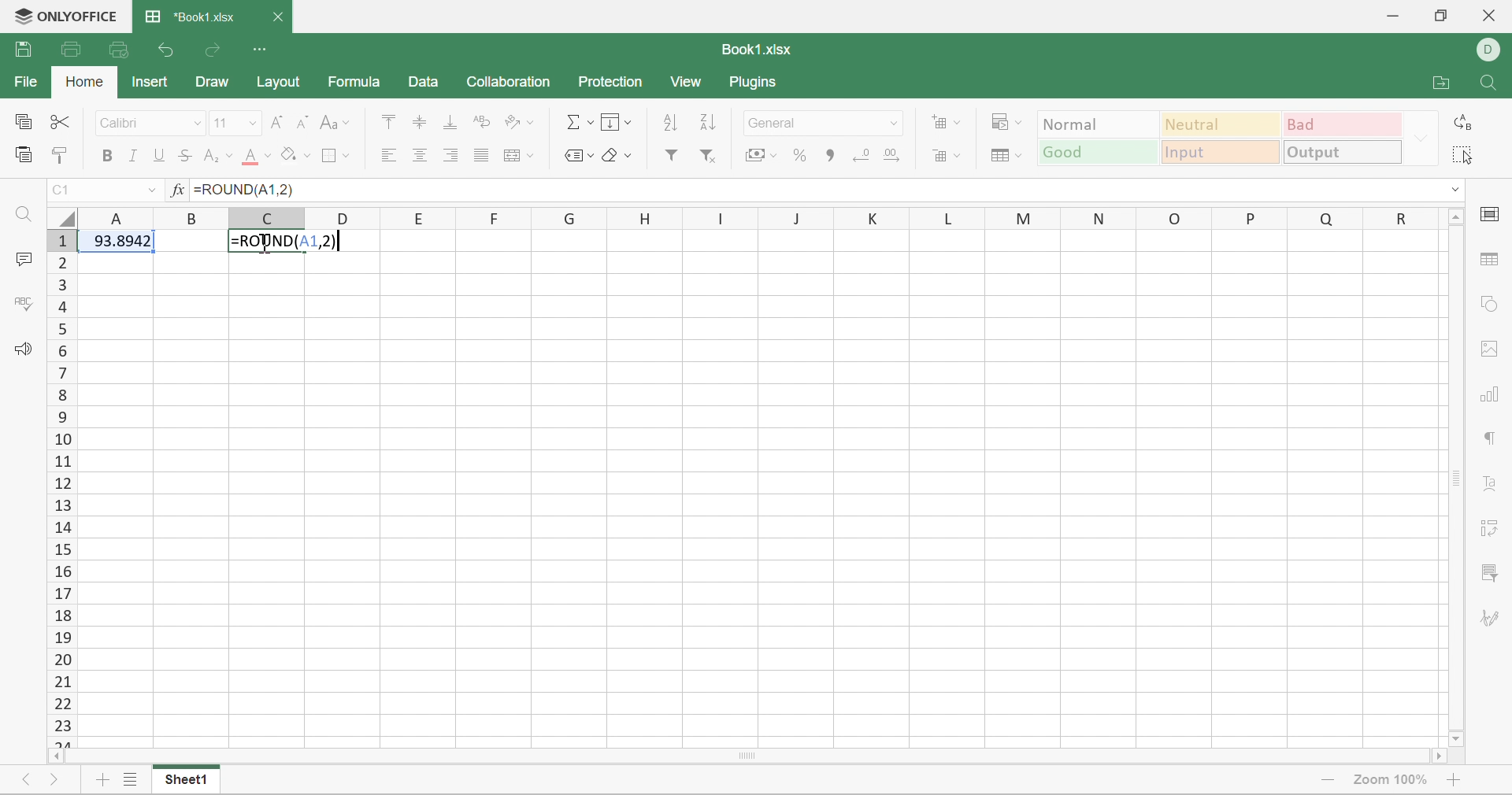 This screenshot has height=795, width=1512. Describe the element at coordinates (946, 153) in the screenshot. I see `Delete cells` at that location.